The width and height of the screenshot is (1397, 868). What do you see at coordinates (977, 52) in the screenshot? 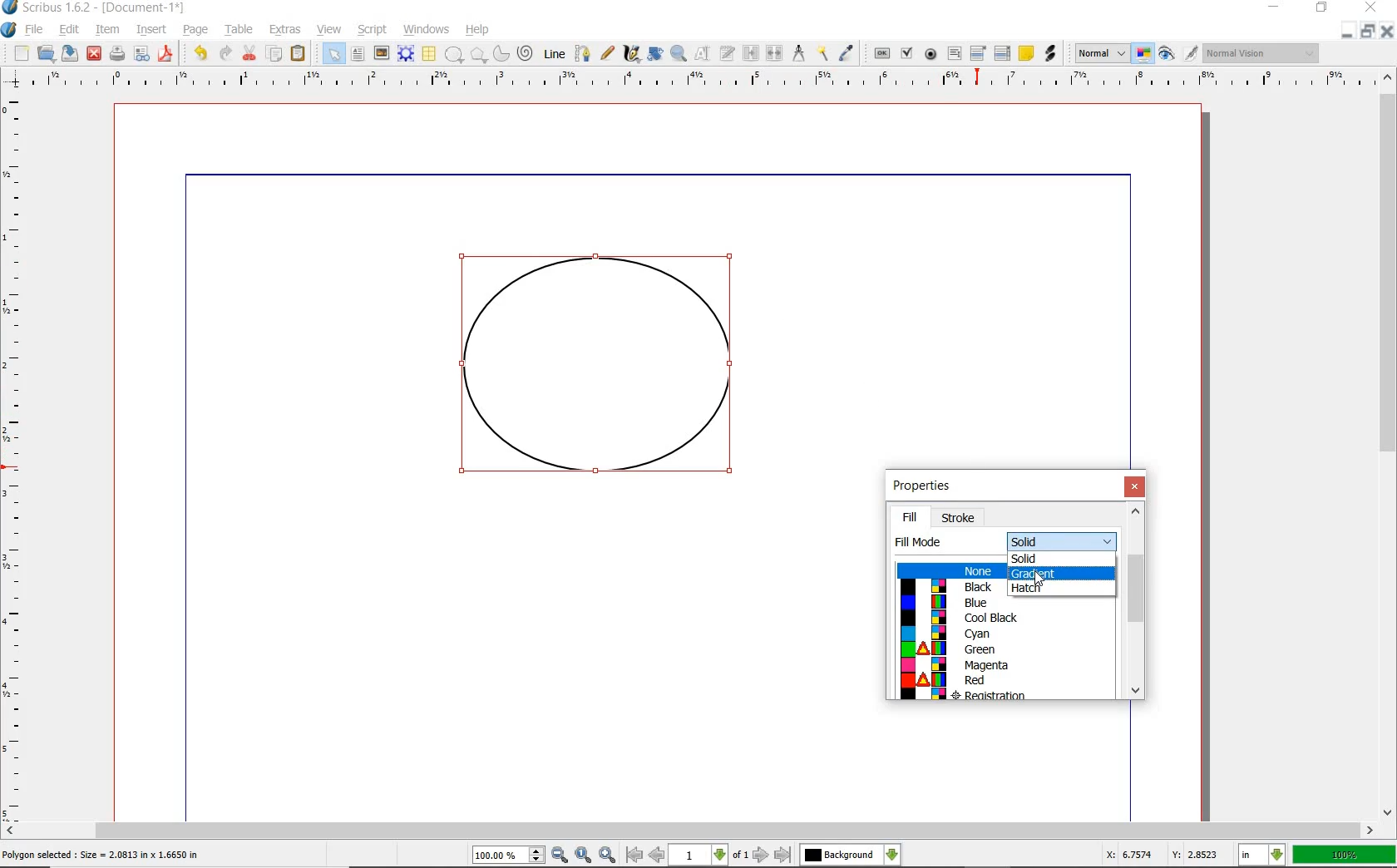
I see `PDF COMBO BOX` at bounding box center [977, 52].